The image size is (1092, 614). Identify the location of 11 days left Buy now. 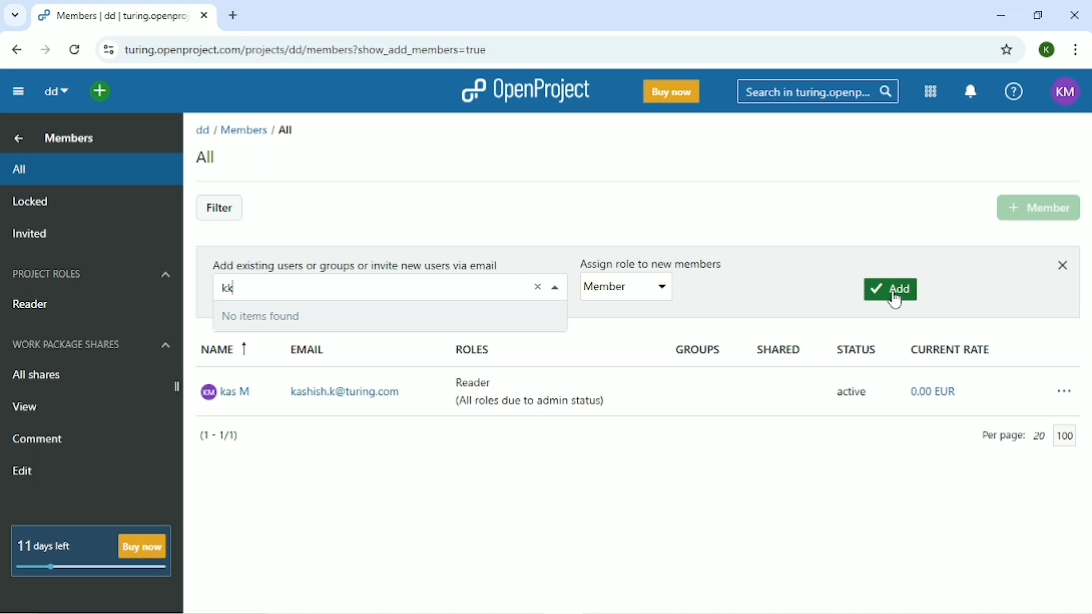
(92, 552).